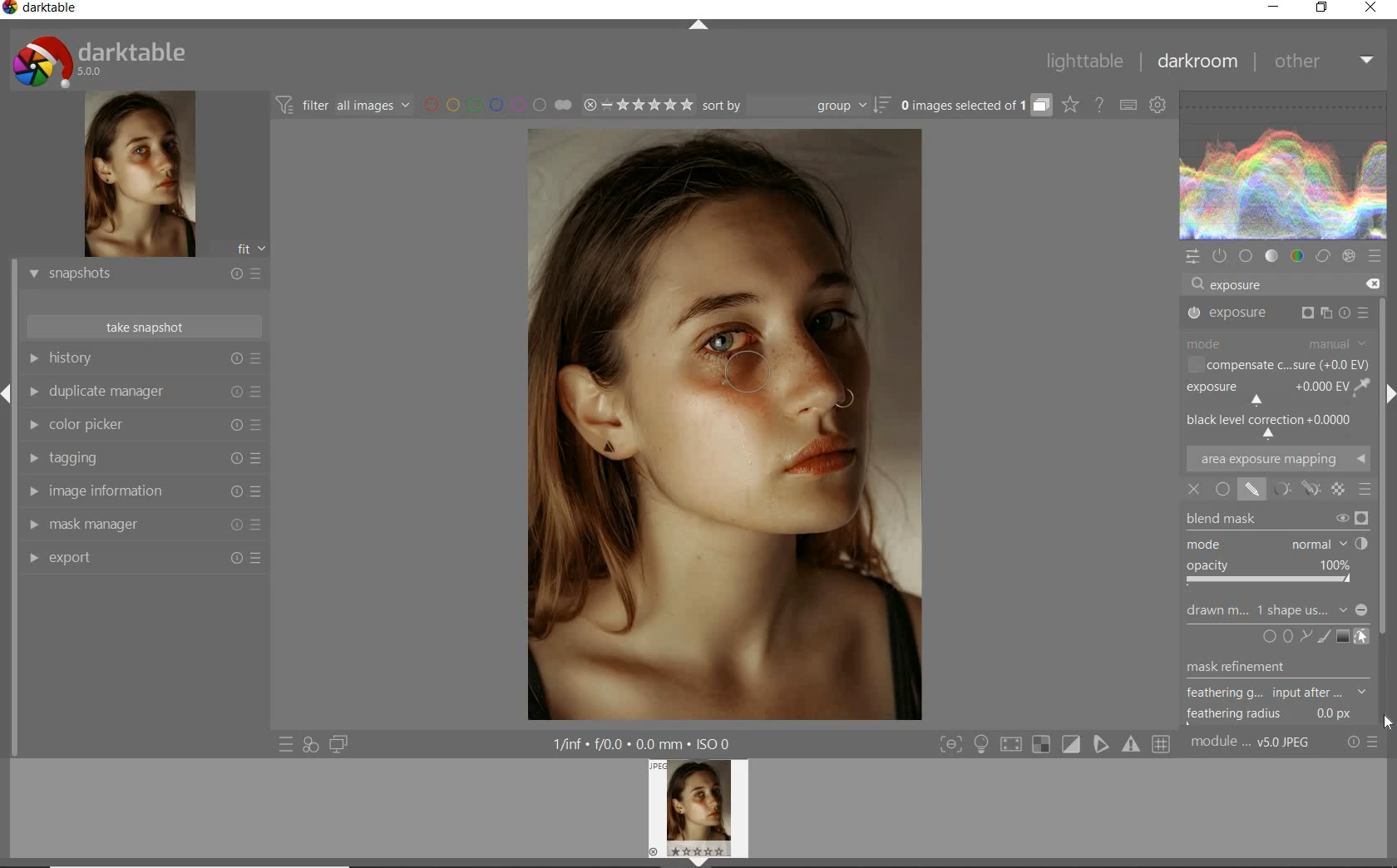 This screenshot has height=868, width=1397. Describe the element at coordinates (1222, 491) in the screenshot. I see `UNIFORMLY` at that location.